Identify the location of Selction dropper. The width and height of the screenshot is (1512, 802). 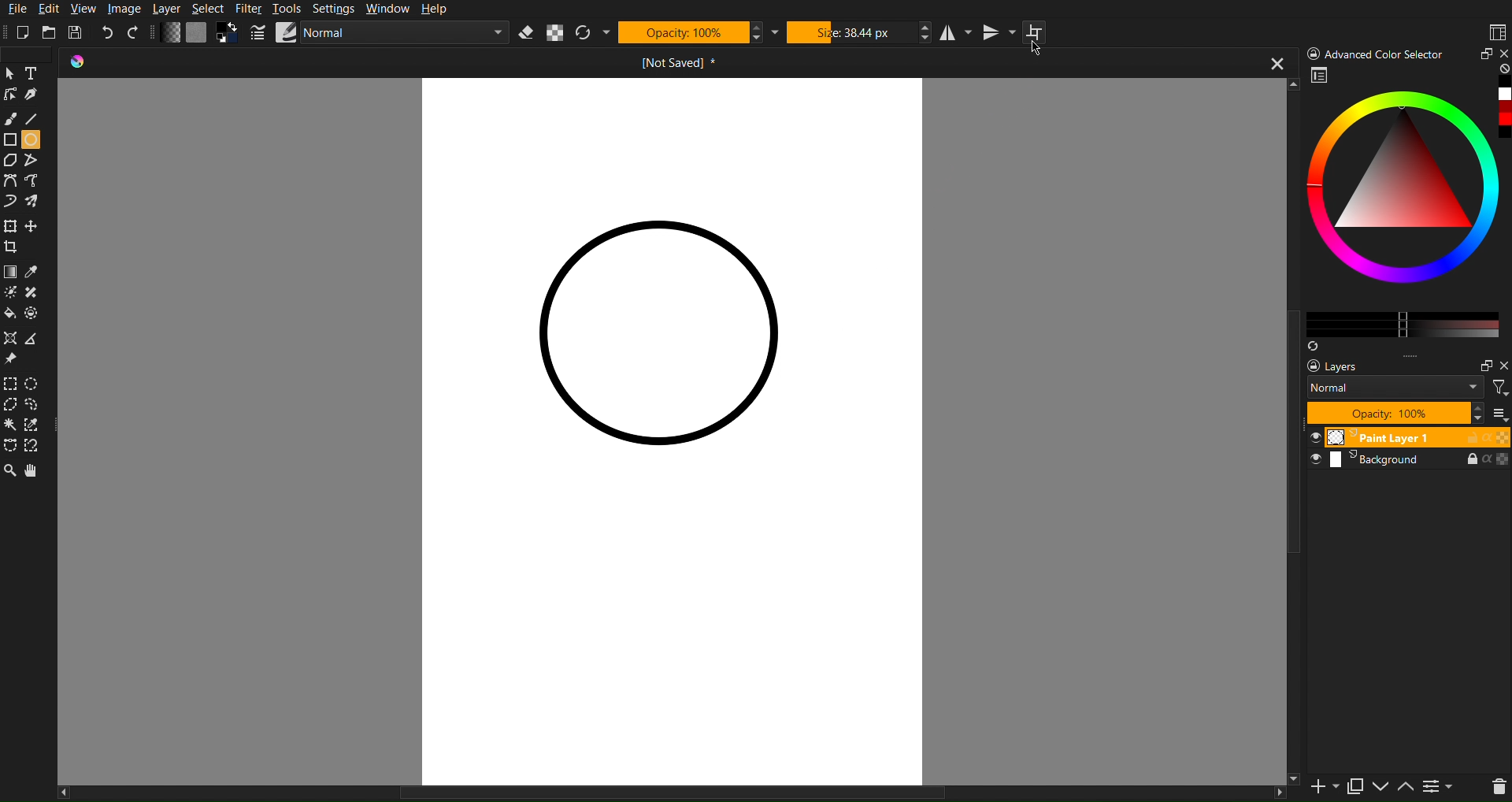
(35, 426).